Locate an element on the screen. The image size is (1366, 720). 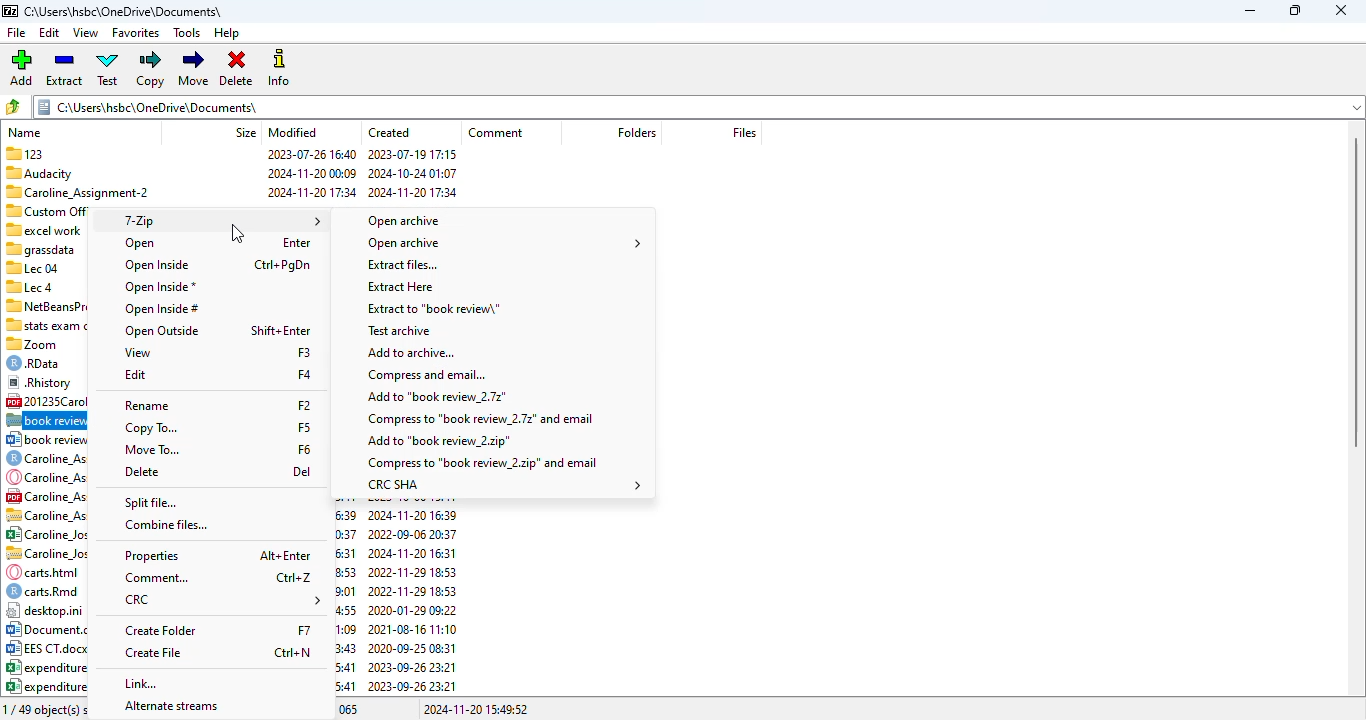
open outside is located at coordinates (161, 331).